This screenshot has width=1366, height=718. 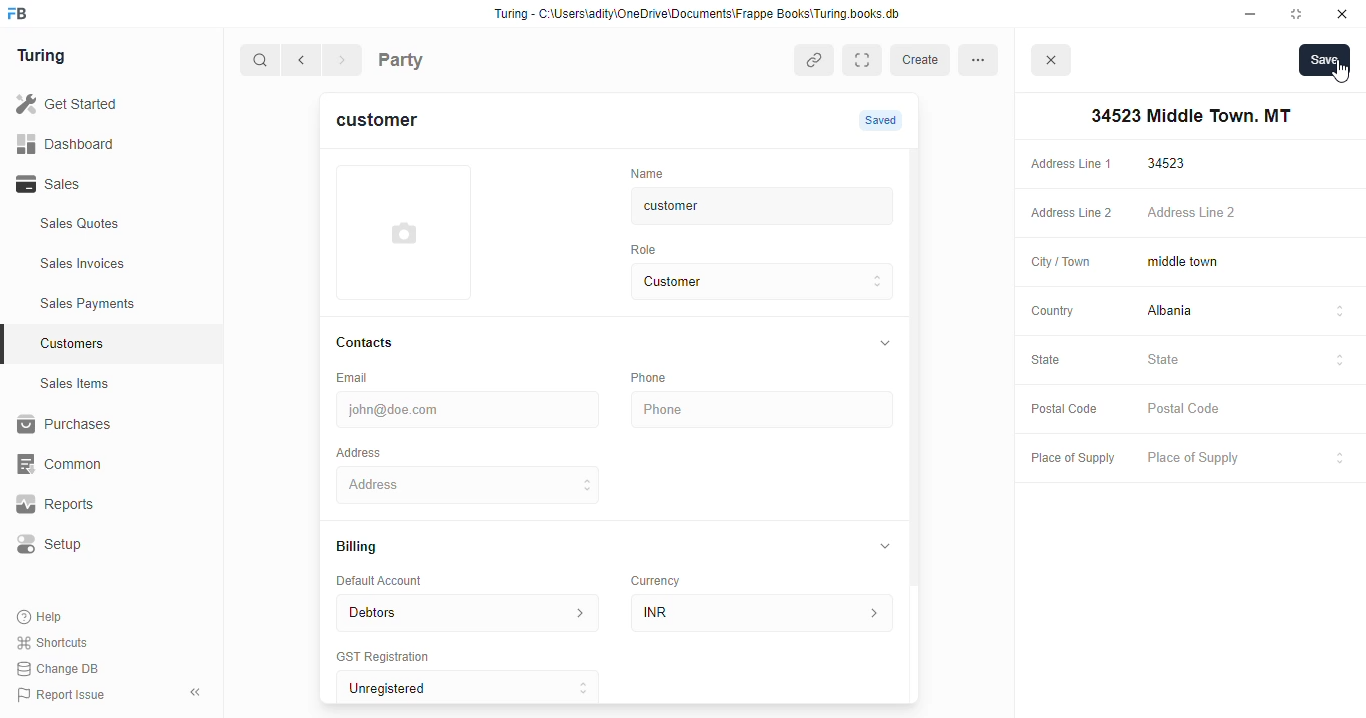 What do you see at coordinates (1054, 63) in the screenshot?
I see `close` at bounding box center [1054, 63].